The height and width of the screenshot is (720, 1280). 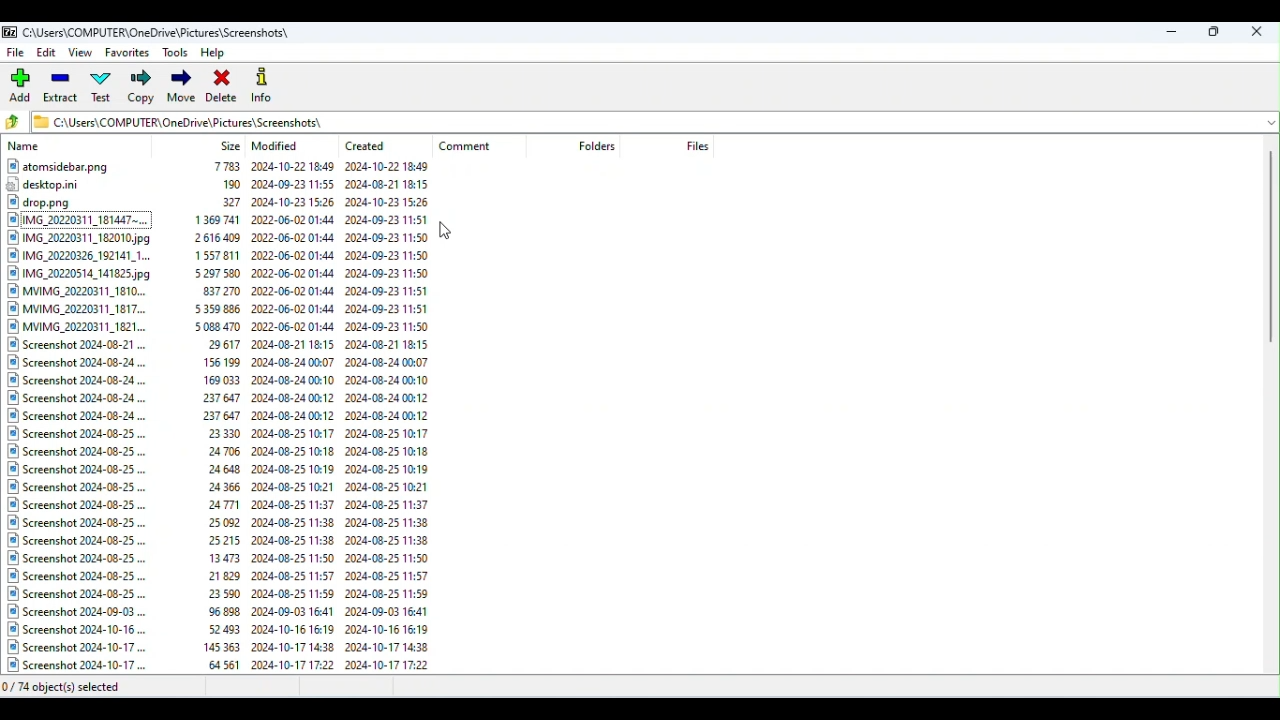 What do you see at coordinates (599, 146) in the screenshot?
I see `Folders` at bounding box center [599, 146].